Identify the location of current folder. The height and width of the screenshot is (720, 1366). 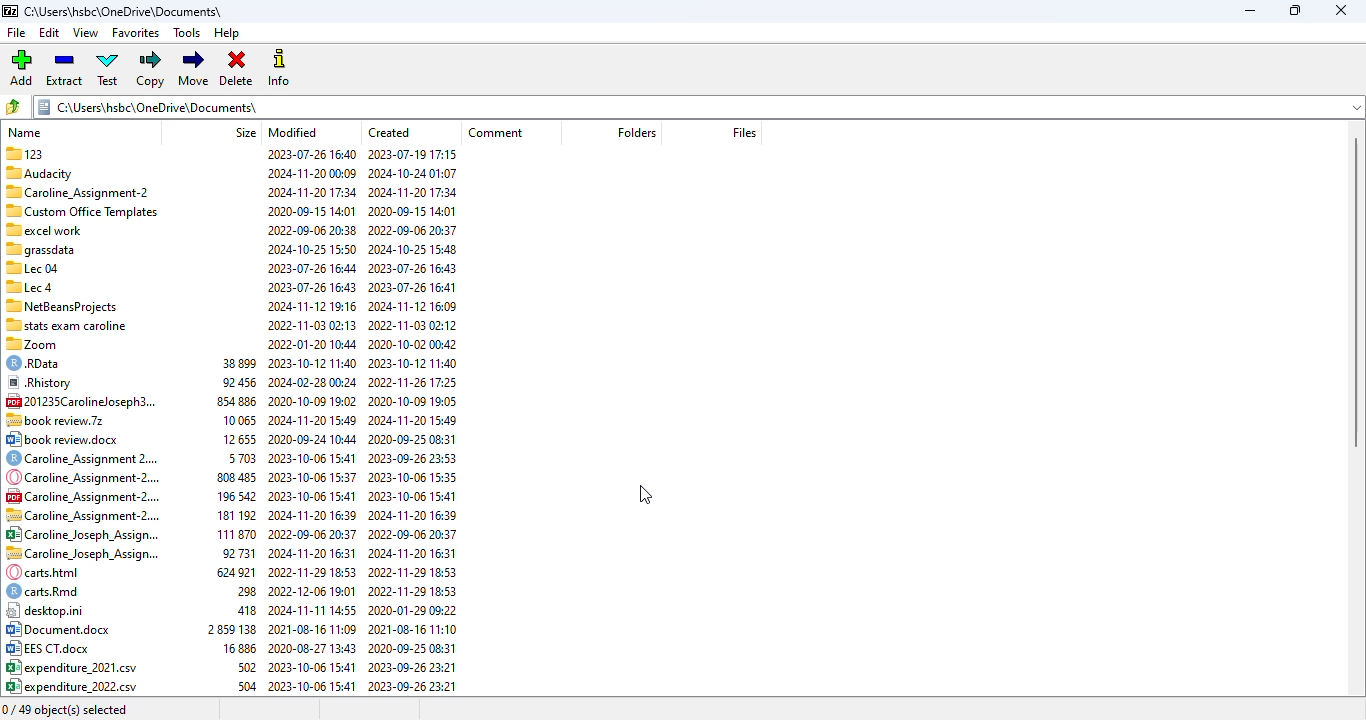
(698, 106).